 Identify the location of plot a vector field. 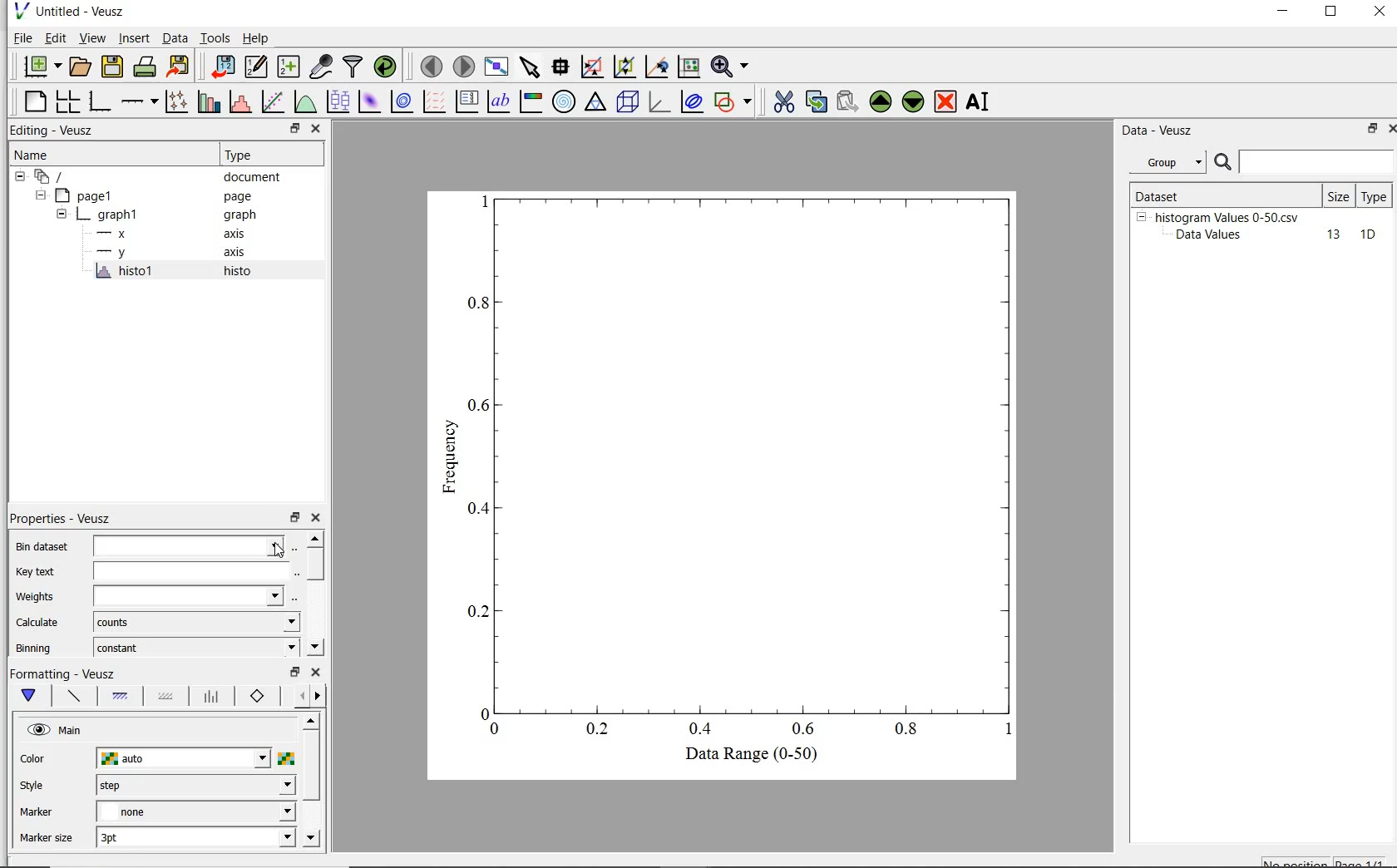
(436, 101).